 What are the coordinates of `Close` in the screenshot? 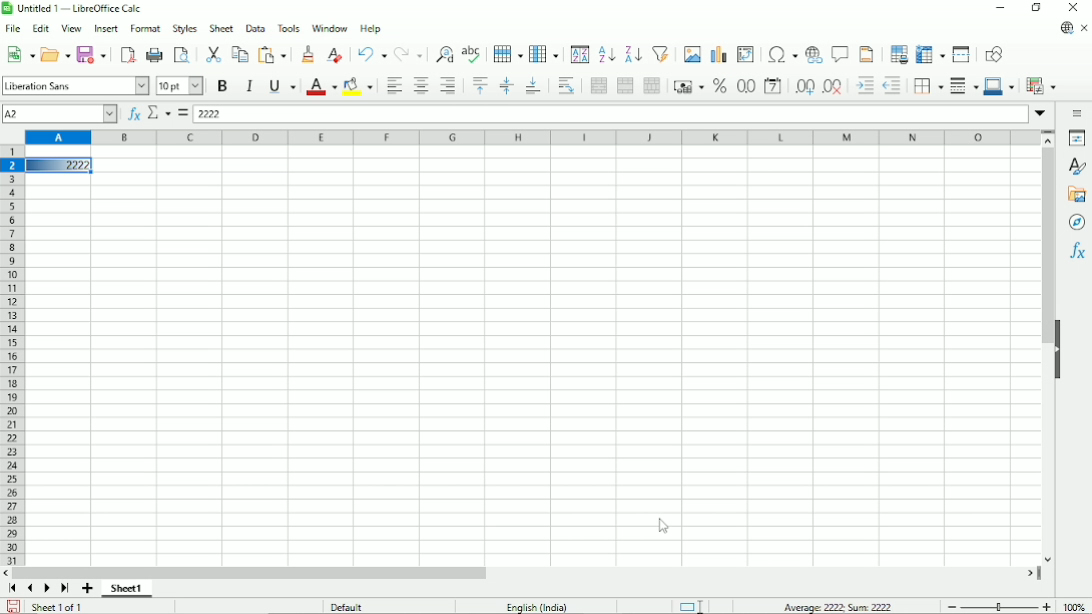 It's located at (1073, 8).